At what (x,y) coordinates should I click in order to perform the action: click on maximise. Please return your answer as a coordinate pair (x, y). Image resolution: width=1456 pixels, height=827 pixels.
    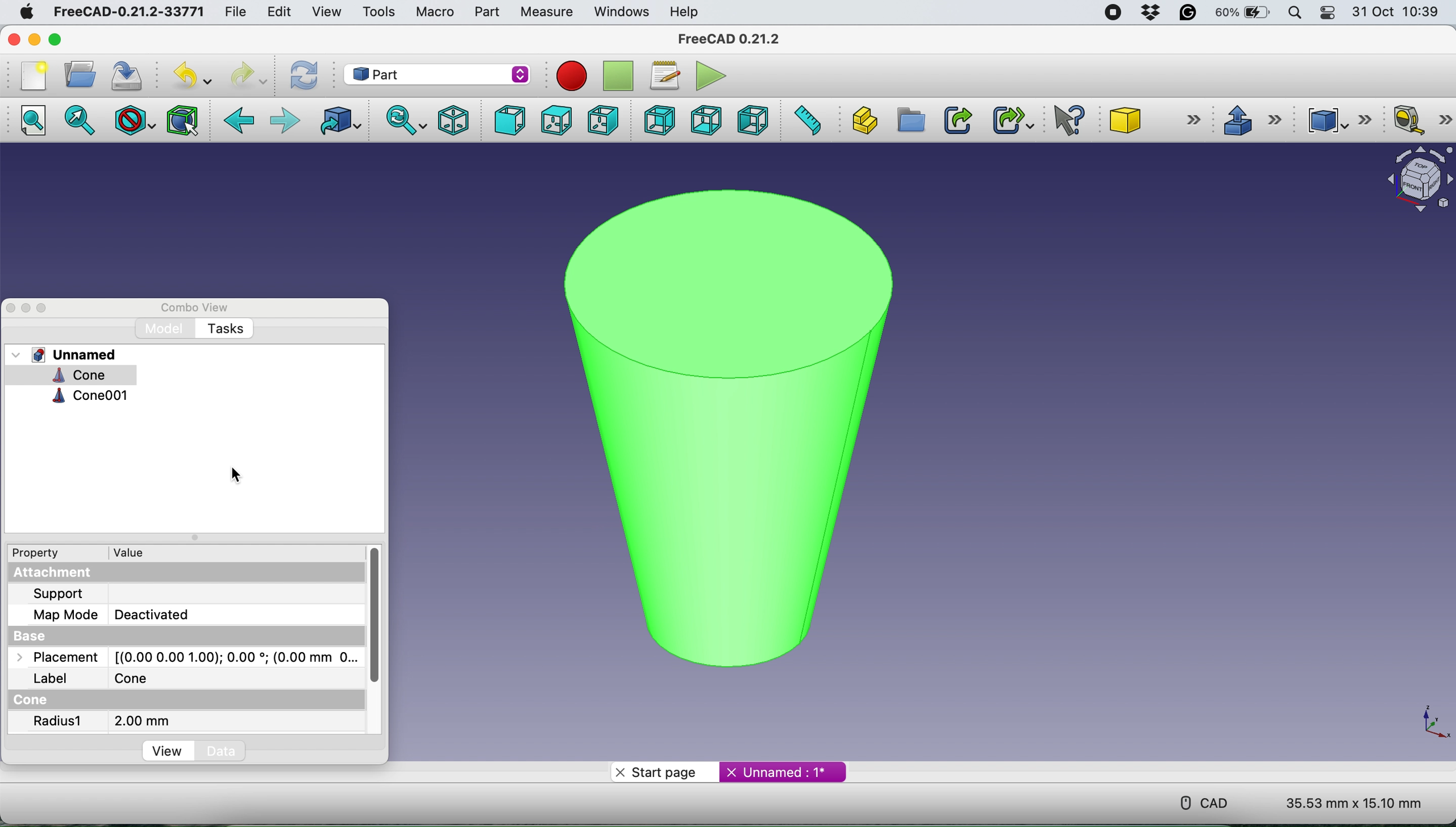
    Looking at the image, I should click on (76, 39).